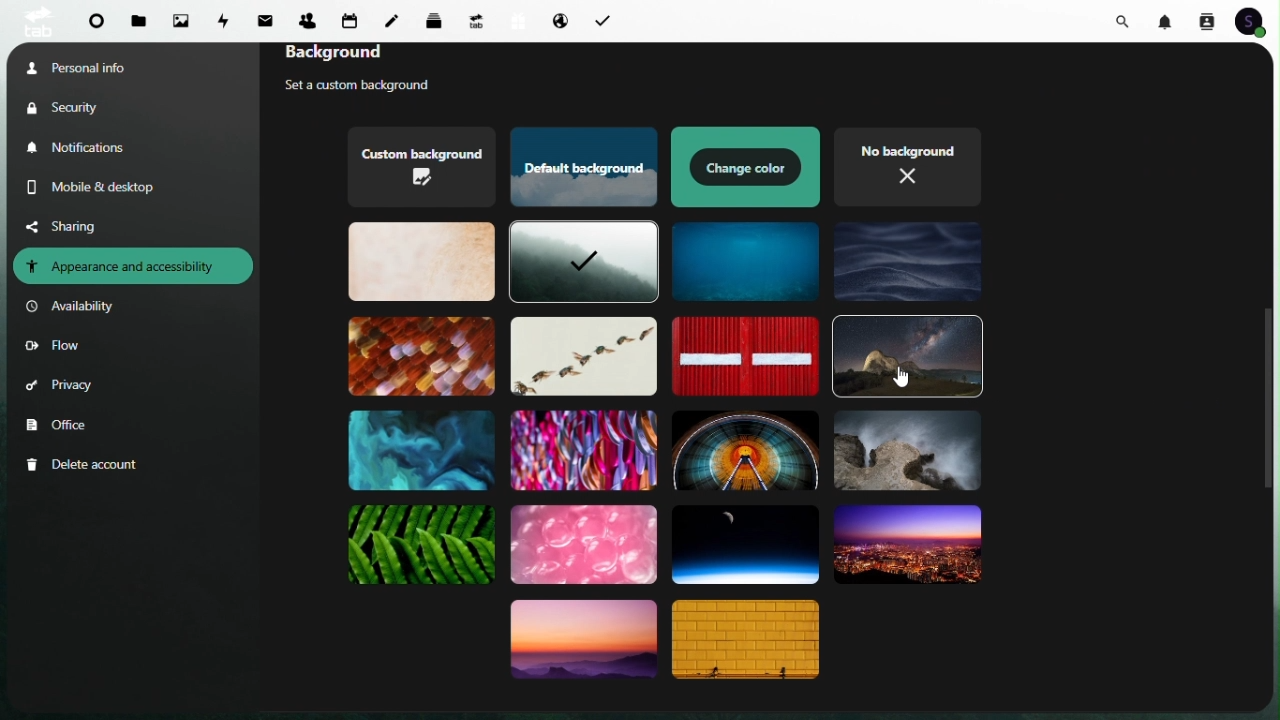  What do you see at coordinates (583, 546) in the screenshot?
I see `Themes` at bounding box center [583, 546].